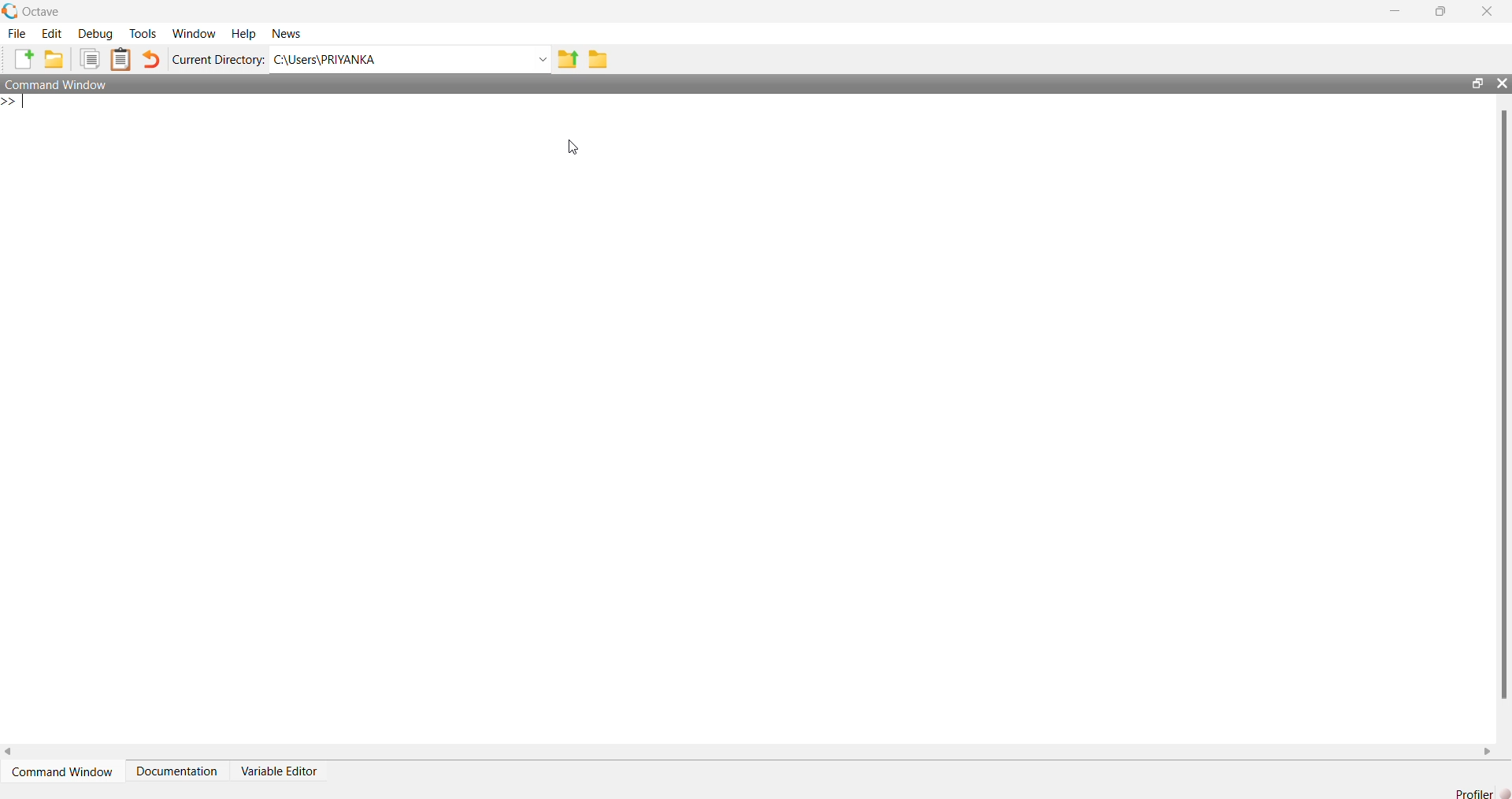  Describe the element at coordinates (286, 33) in the screenshot. I see `News` at that location.